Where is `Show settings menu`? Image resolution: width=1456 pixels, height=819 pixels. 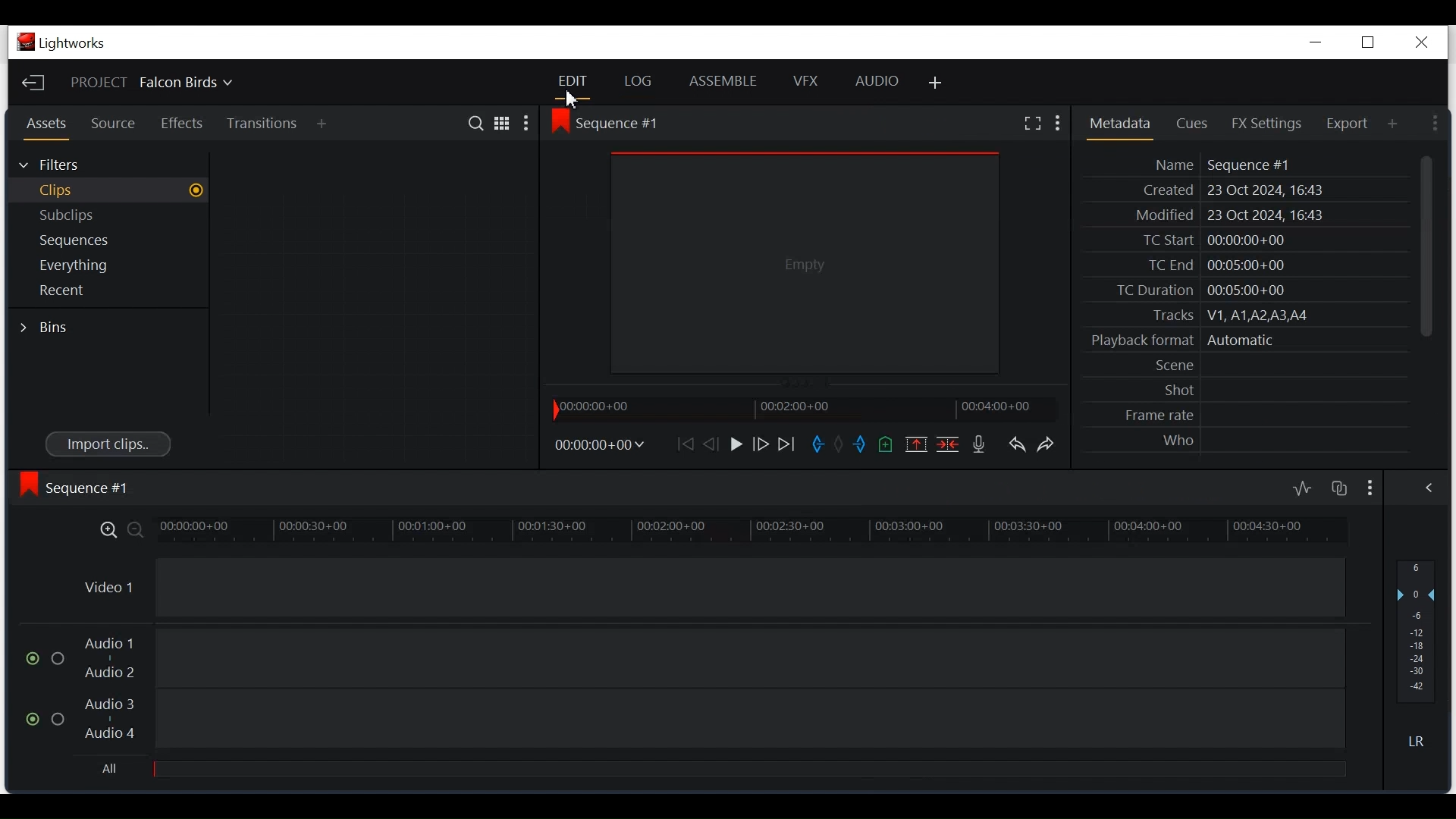 Show settings menu is located at coordinates (1367, 489).